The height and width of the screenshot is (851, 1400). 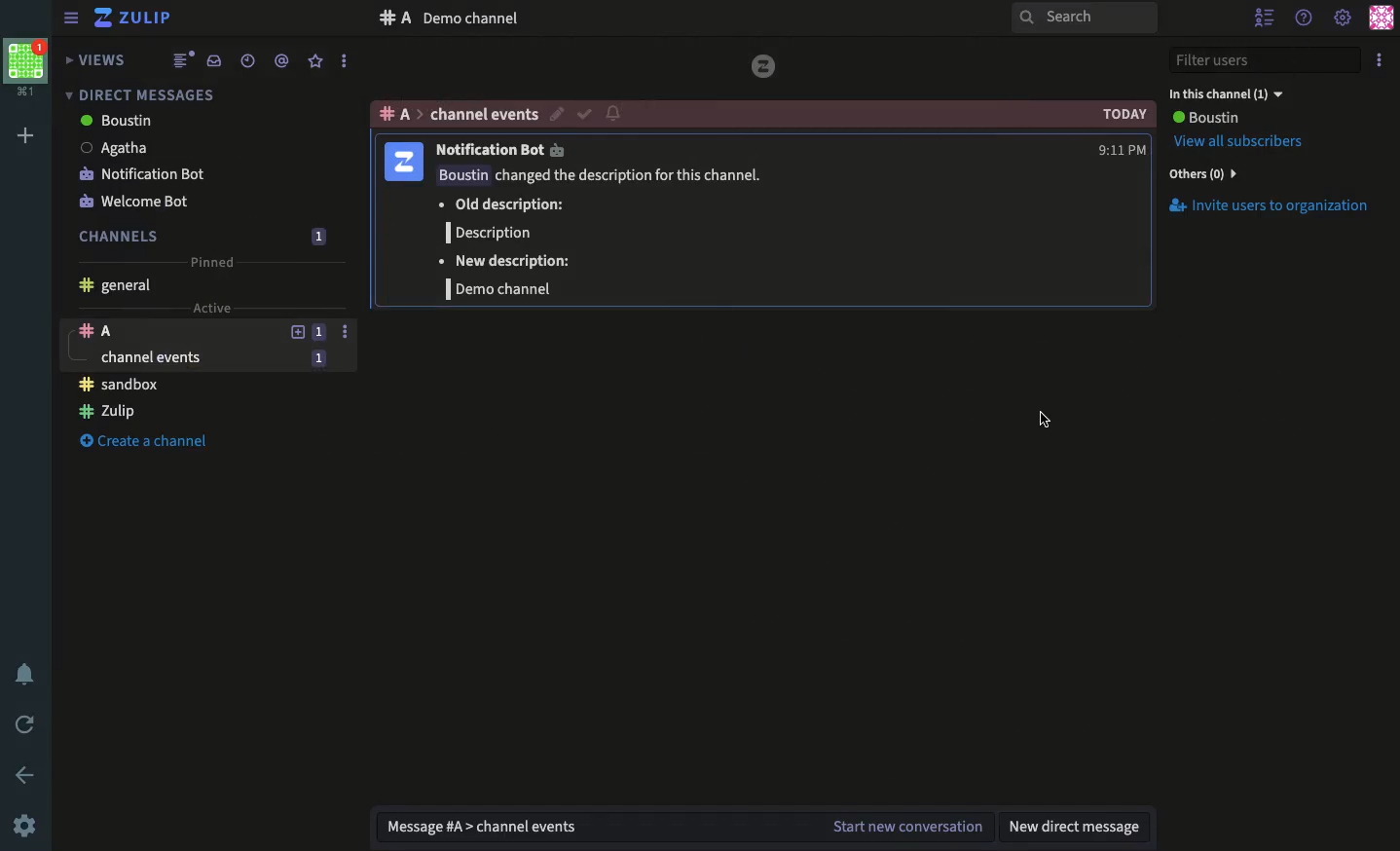 What do you see at coordinates (1344, 16) in the screenshot?
I see `Settings` at bounding box center [1344, 16].